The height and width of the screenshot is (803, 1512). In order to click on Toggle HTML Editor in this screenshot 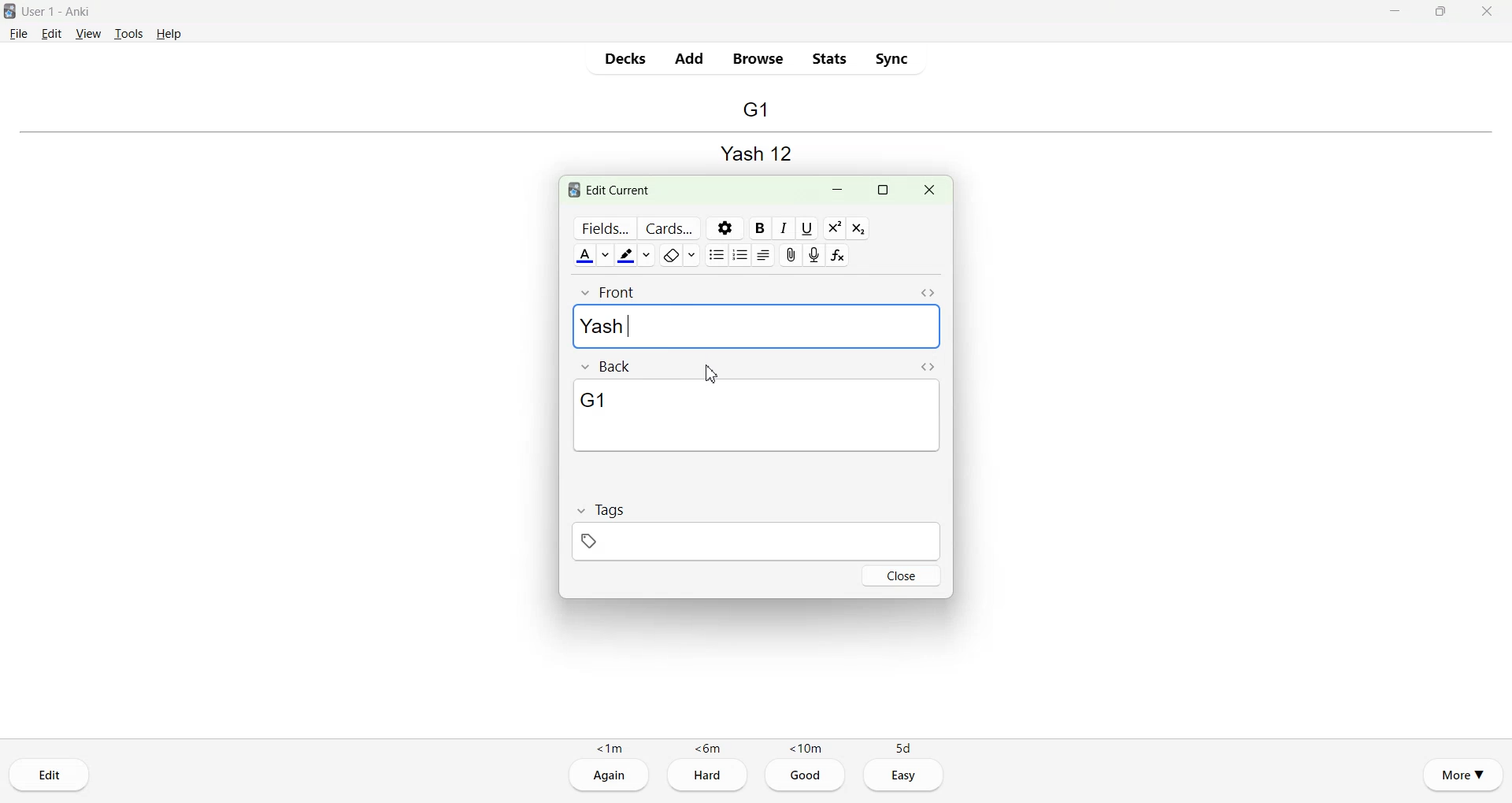, I will do `click(928, 367)`.